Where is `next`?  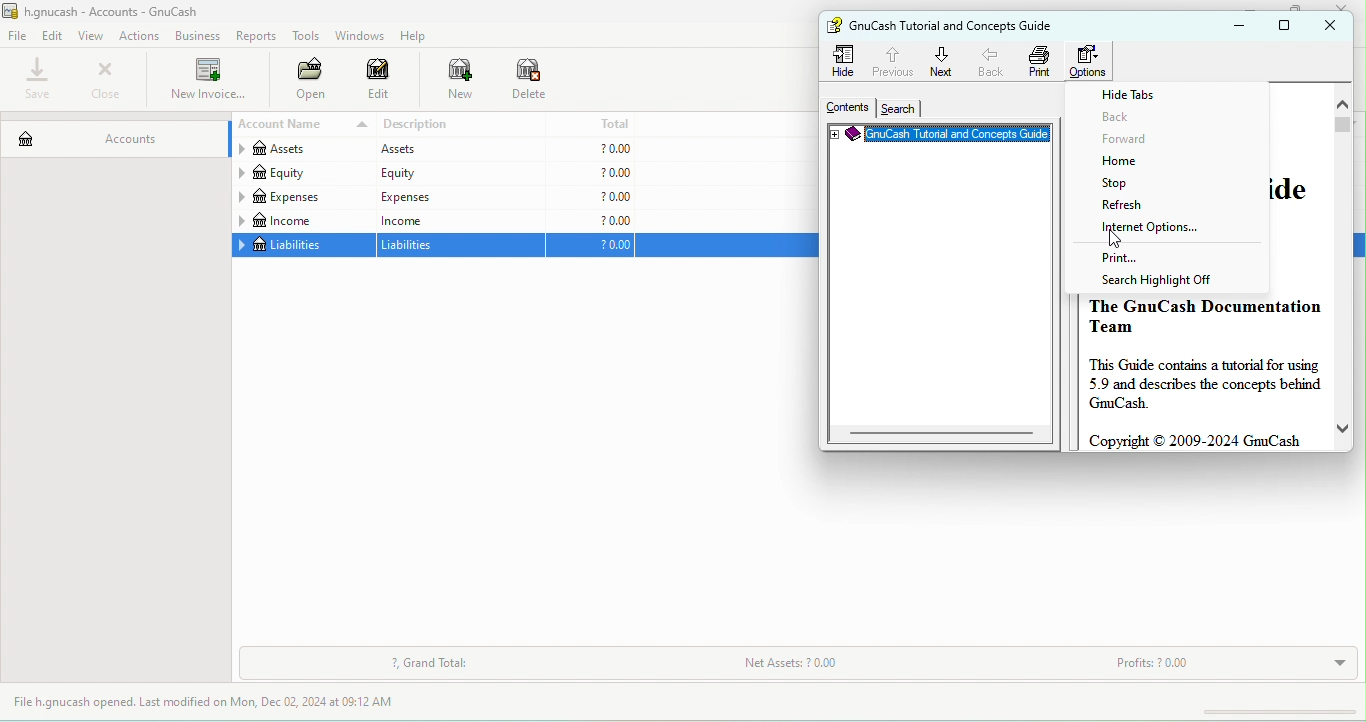
next is located at coordinates (942, 61).